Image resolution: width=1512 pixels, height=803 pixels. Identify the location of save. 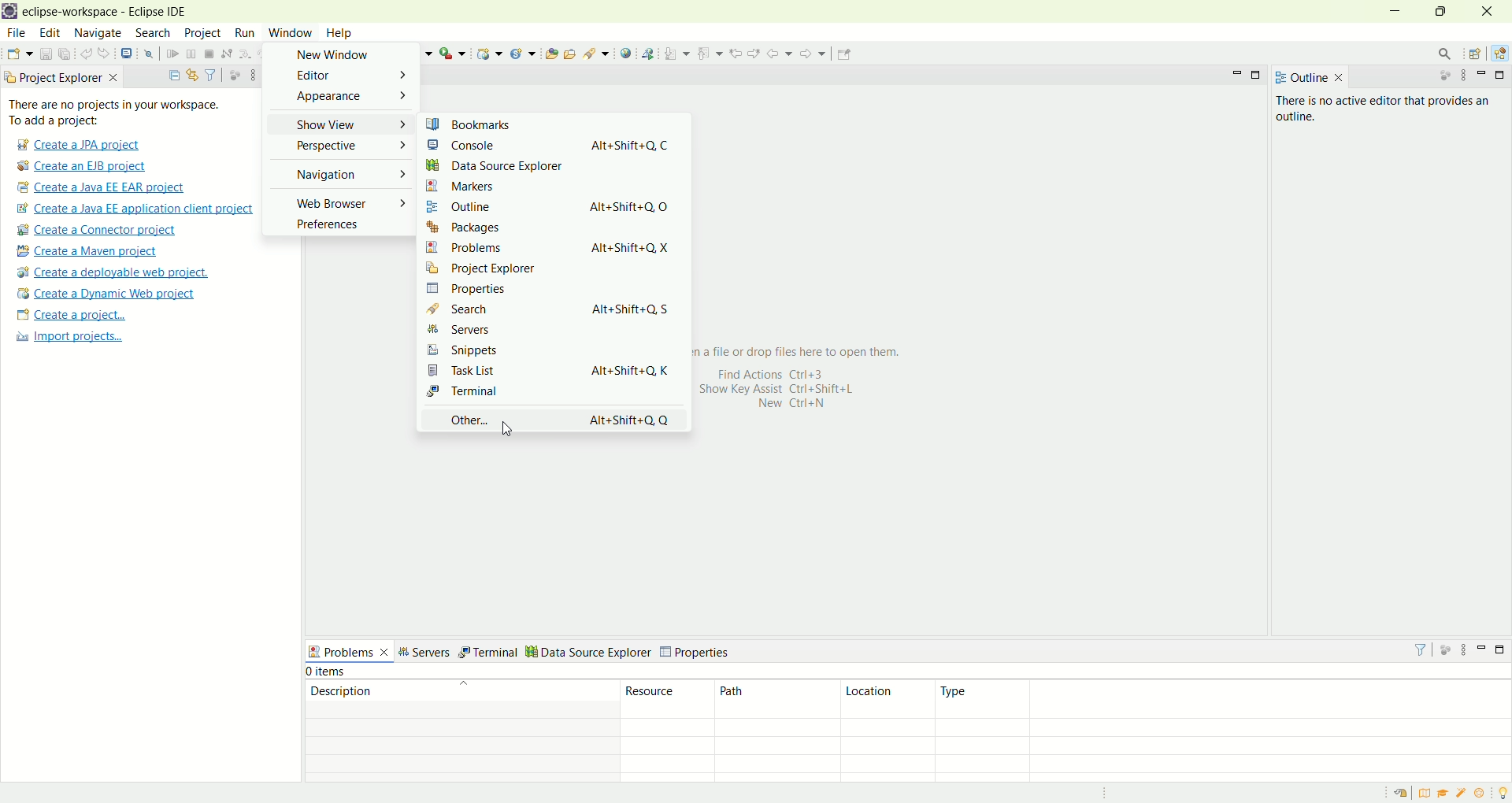
(45, 54).